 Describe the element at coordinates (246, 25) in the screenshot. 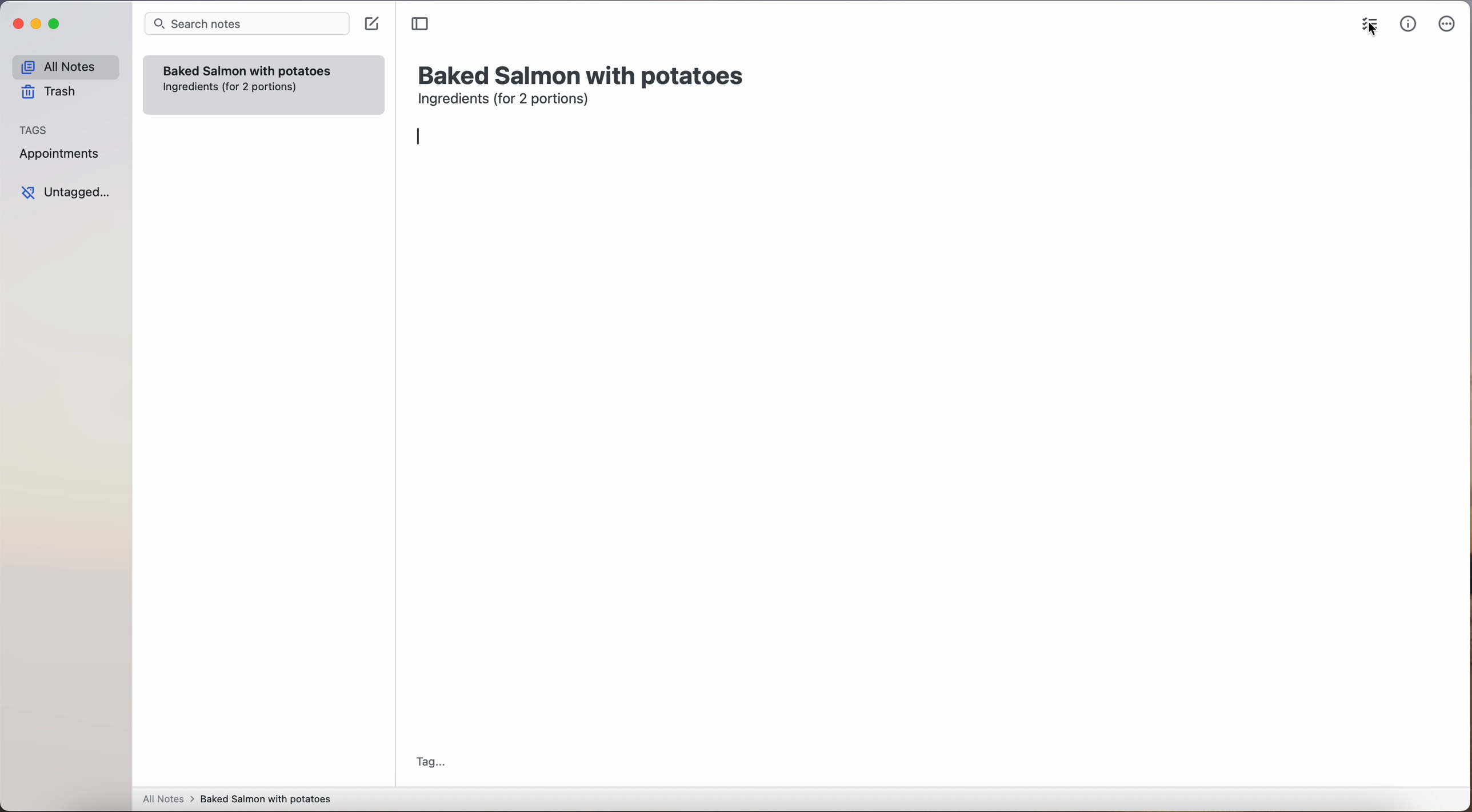

I see `search bar` at that location.